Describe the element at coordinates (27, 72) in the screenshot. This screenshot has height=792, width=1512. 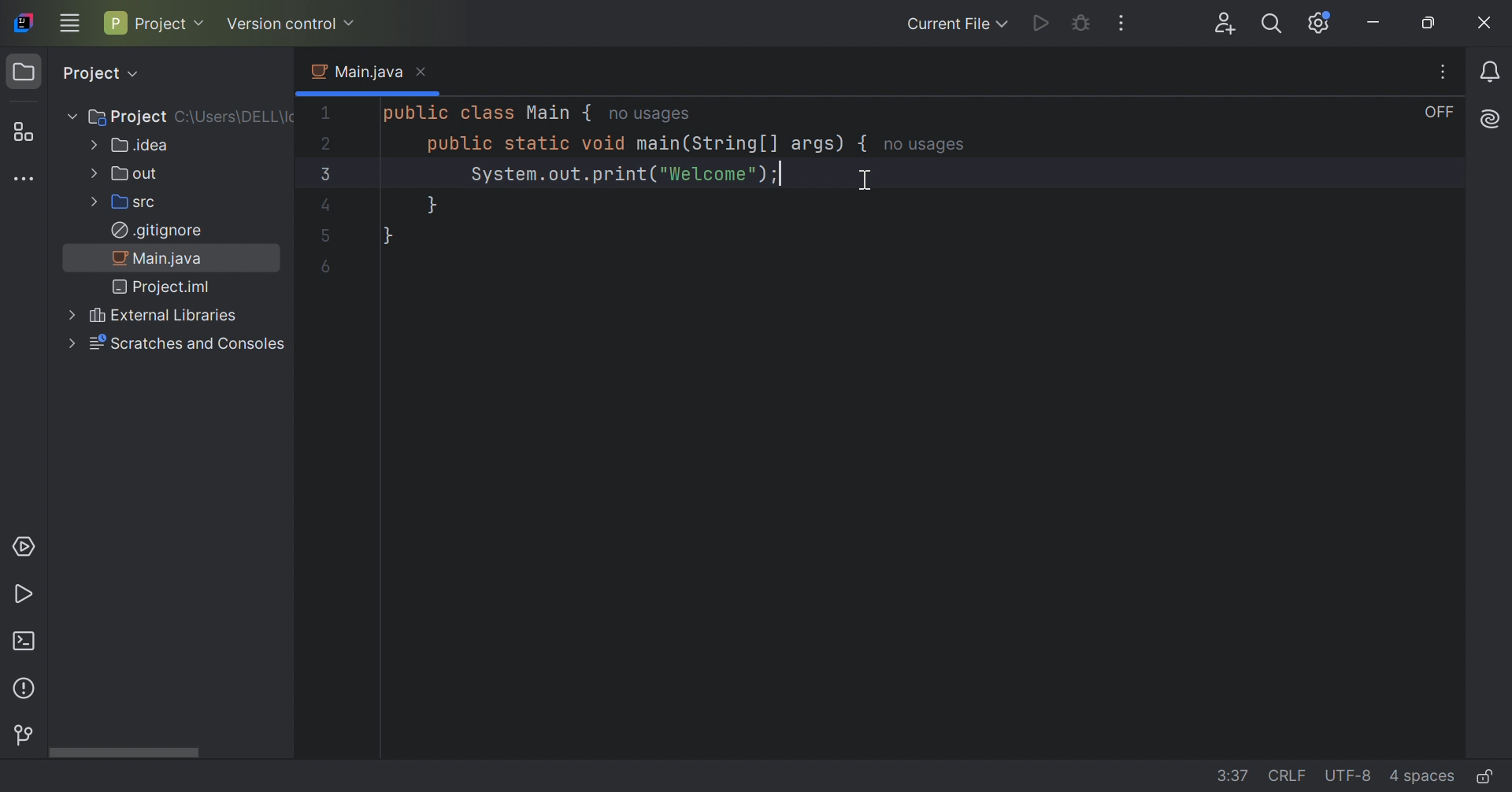
I see `Project` at that location.